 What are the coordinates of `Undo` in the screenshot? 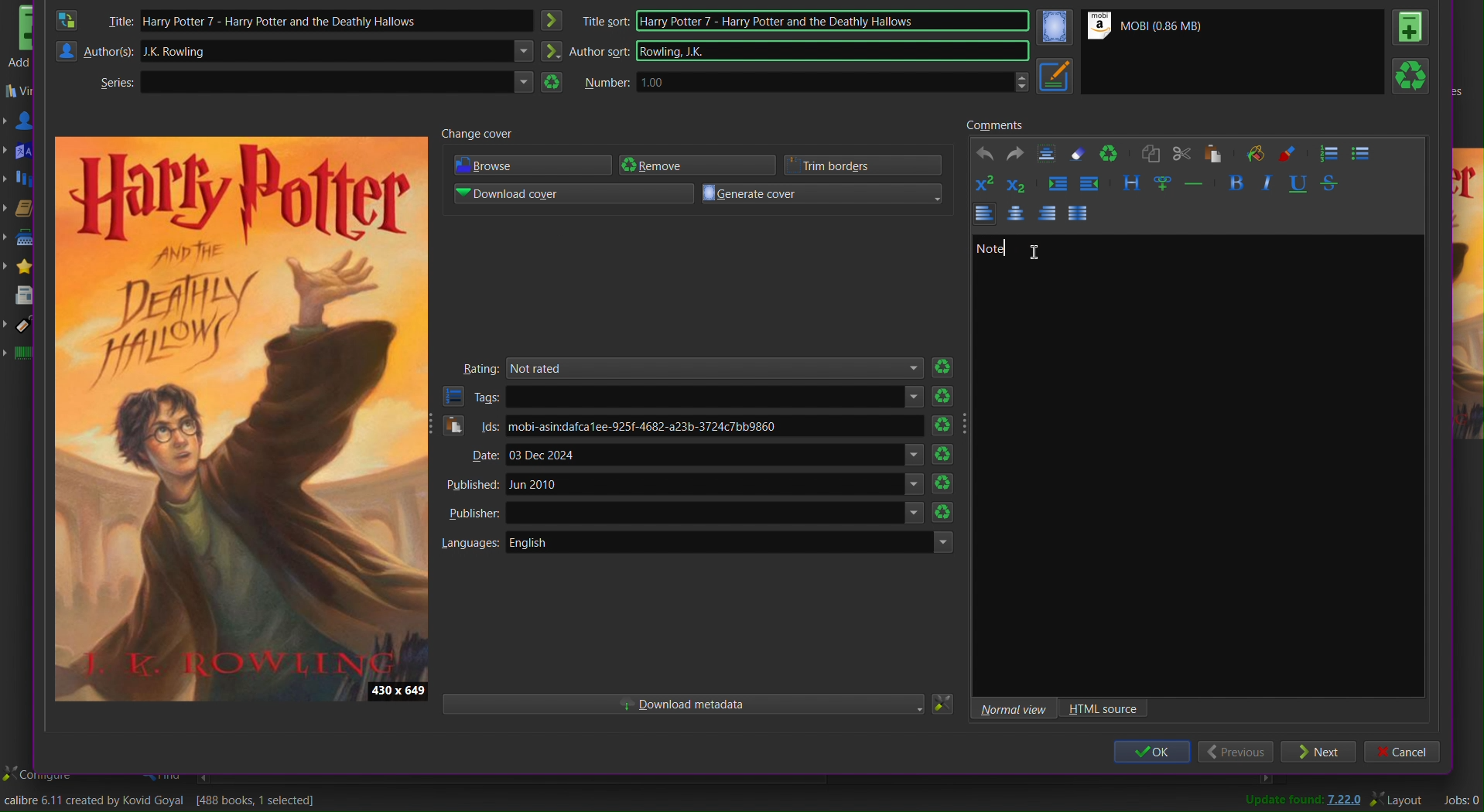 It's located at (987, 154).